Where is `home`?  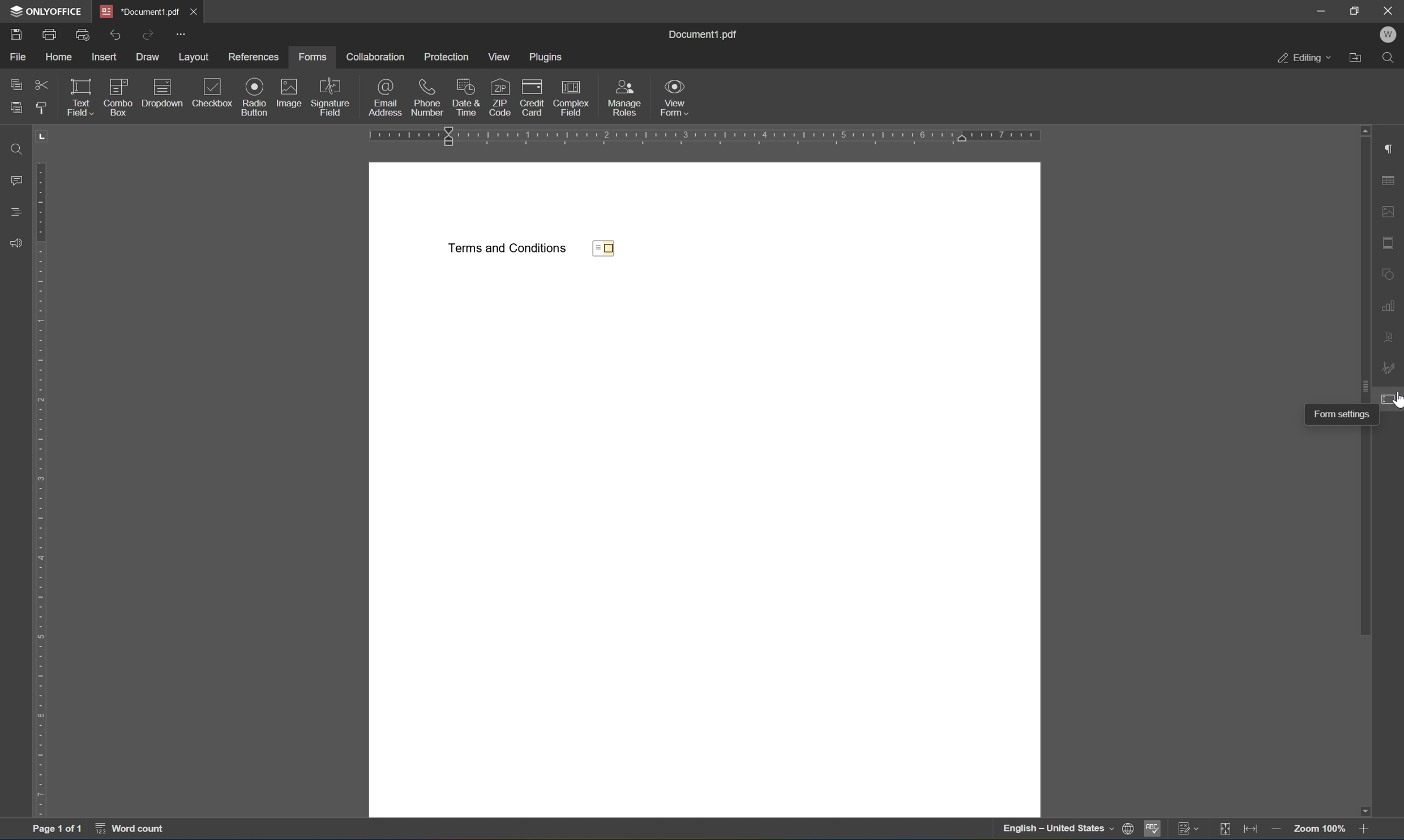
home is located at coordinates (59, 56).